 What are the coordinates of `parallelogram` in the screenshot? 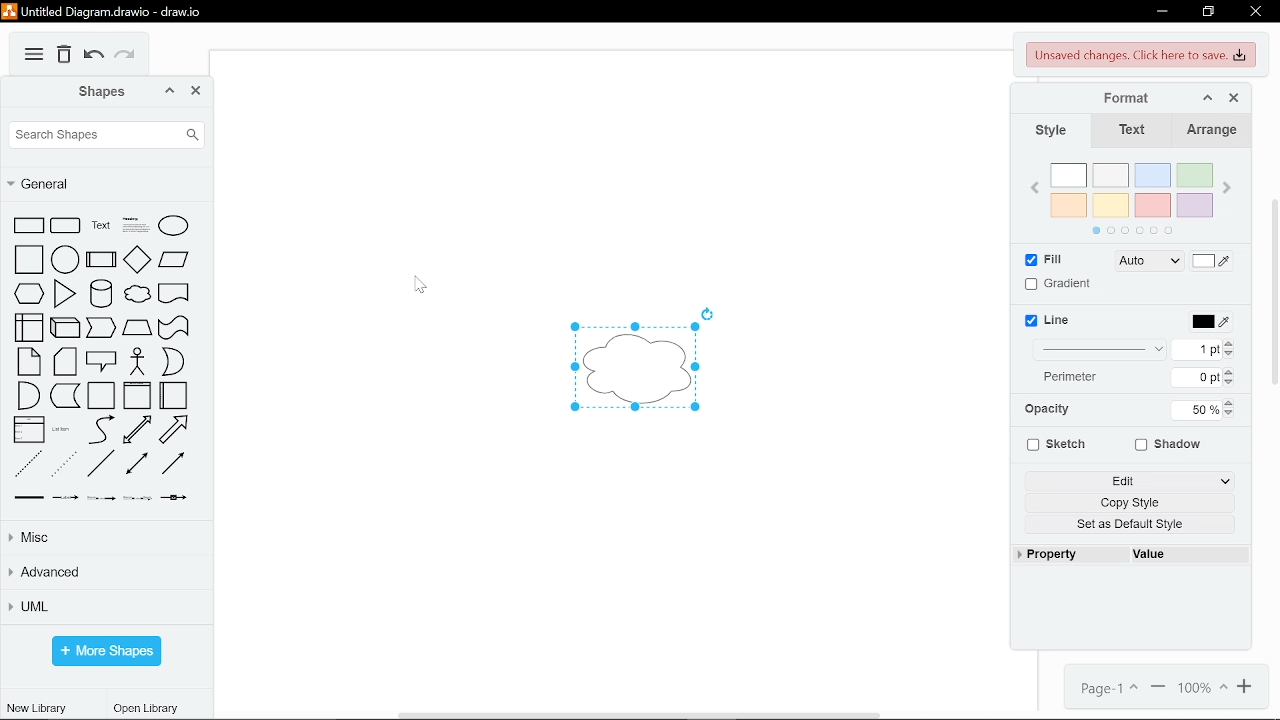 It's located at (173, 263).